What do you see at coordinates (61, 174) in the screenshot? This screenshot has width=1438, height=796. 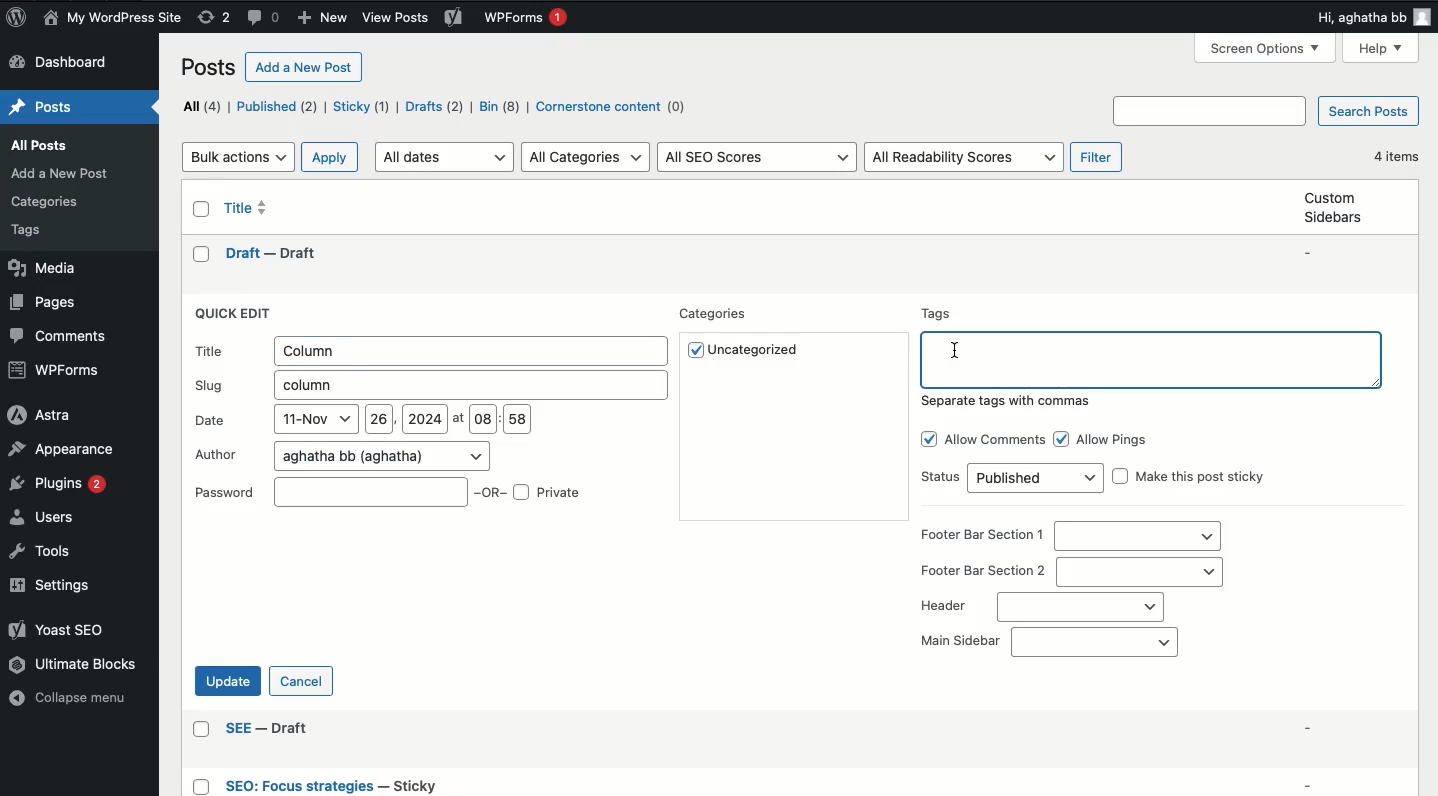 I see `` at bounding box center [61, 174].